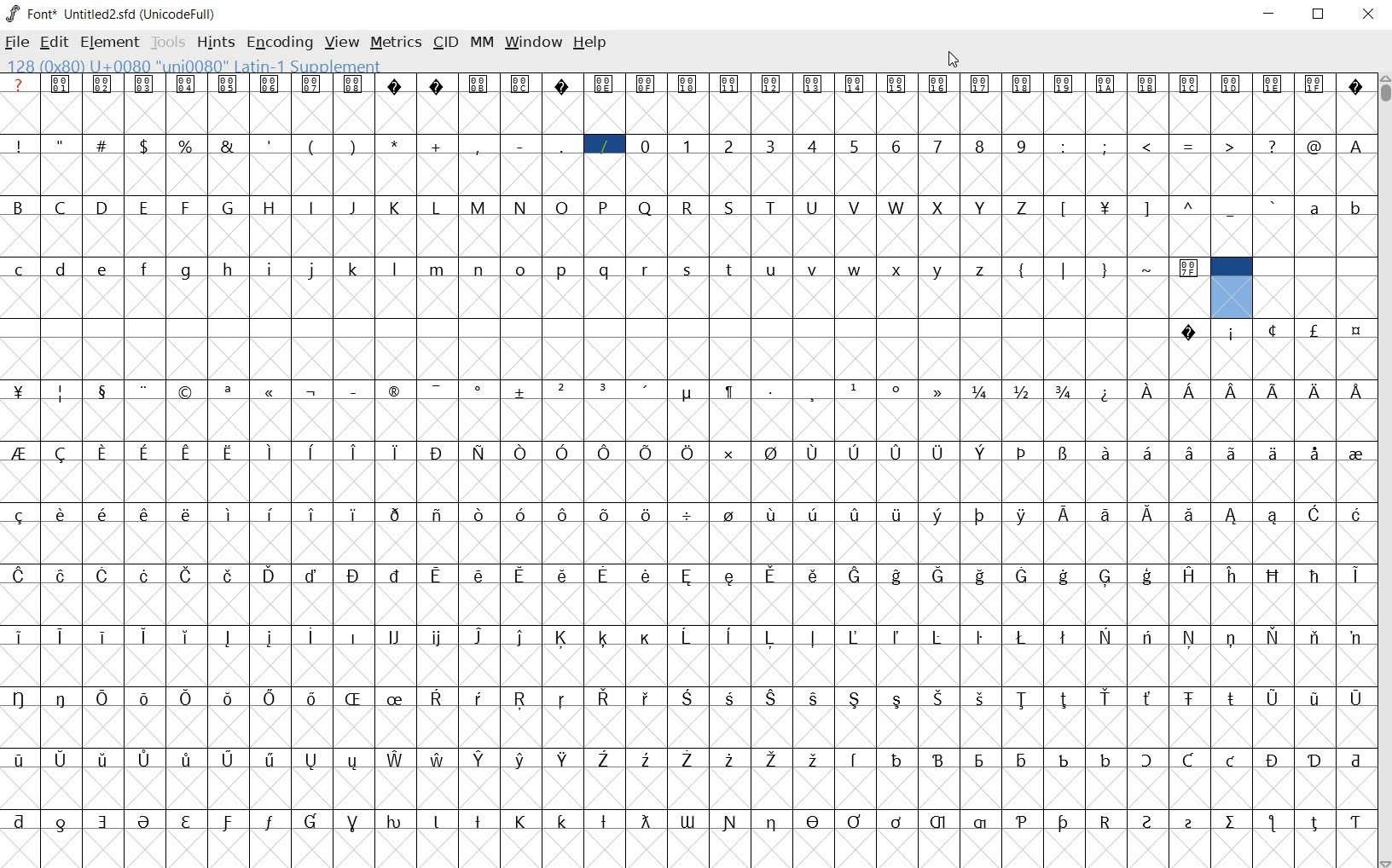 This screenshot has width=1392, height=868. I want to click on Symbol, so click(521, 83).